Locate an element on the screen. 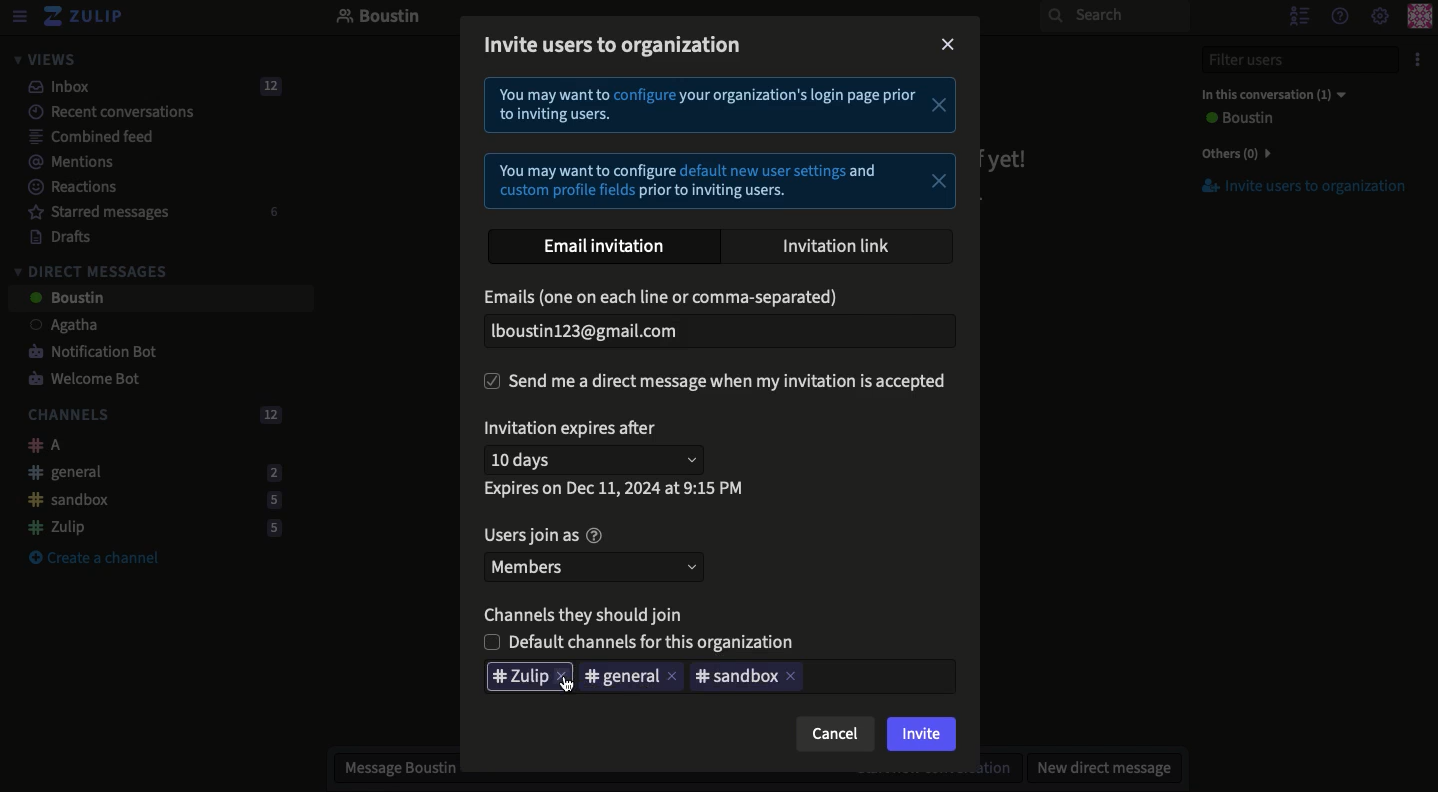  Invite users to organization is located at coordinates (1293, 187).